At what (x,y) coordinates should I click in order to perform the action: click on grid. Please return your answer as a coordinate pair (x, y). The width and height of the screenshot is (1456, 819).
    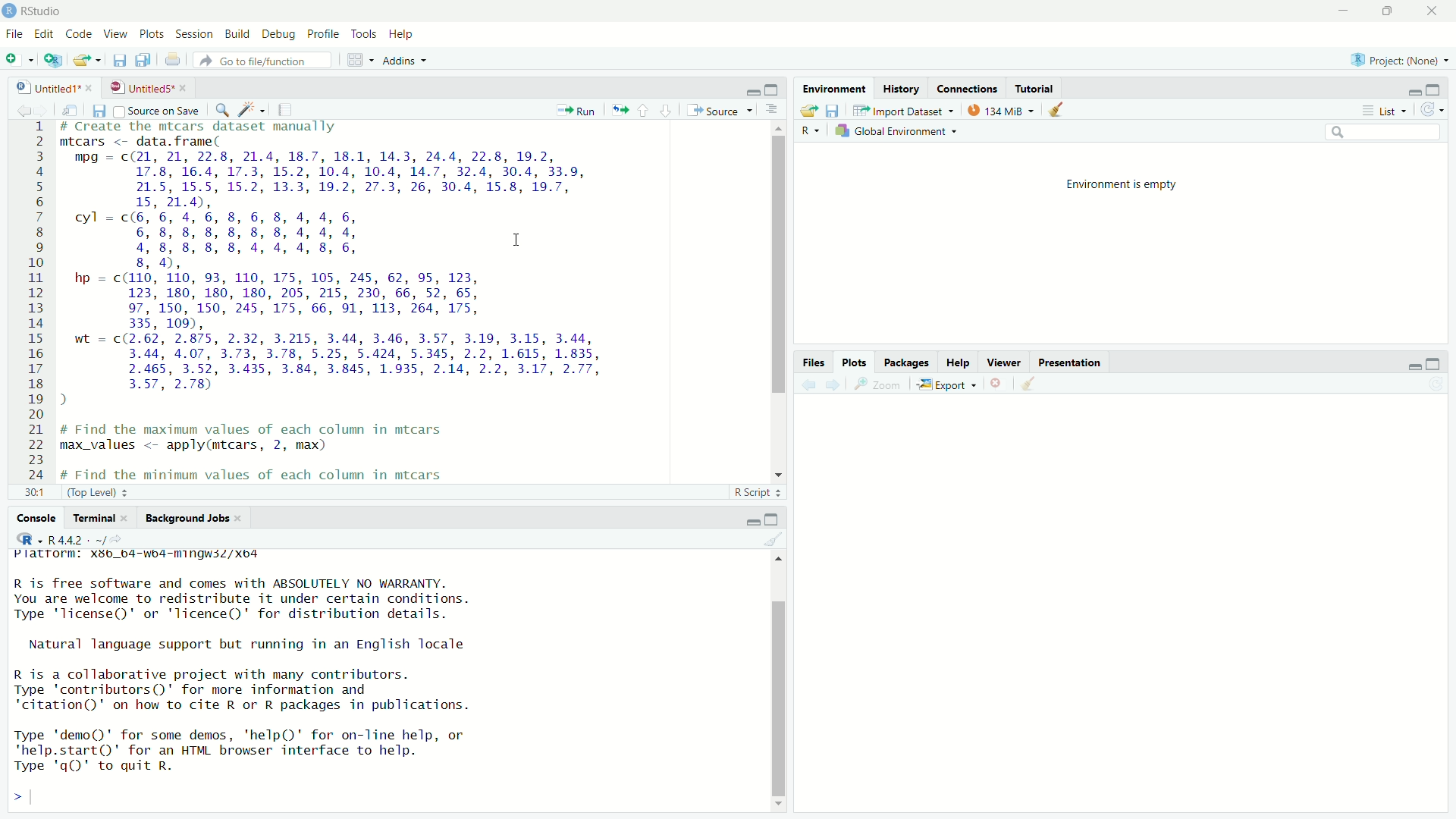
    Looking at the image, I should click on (350, 61).